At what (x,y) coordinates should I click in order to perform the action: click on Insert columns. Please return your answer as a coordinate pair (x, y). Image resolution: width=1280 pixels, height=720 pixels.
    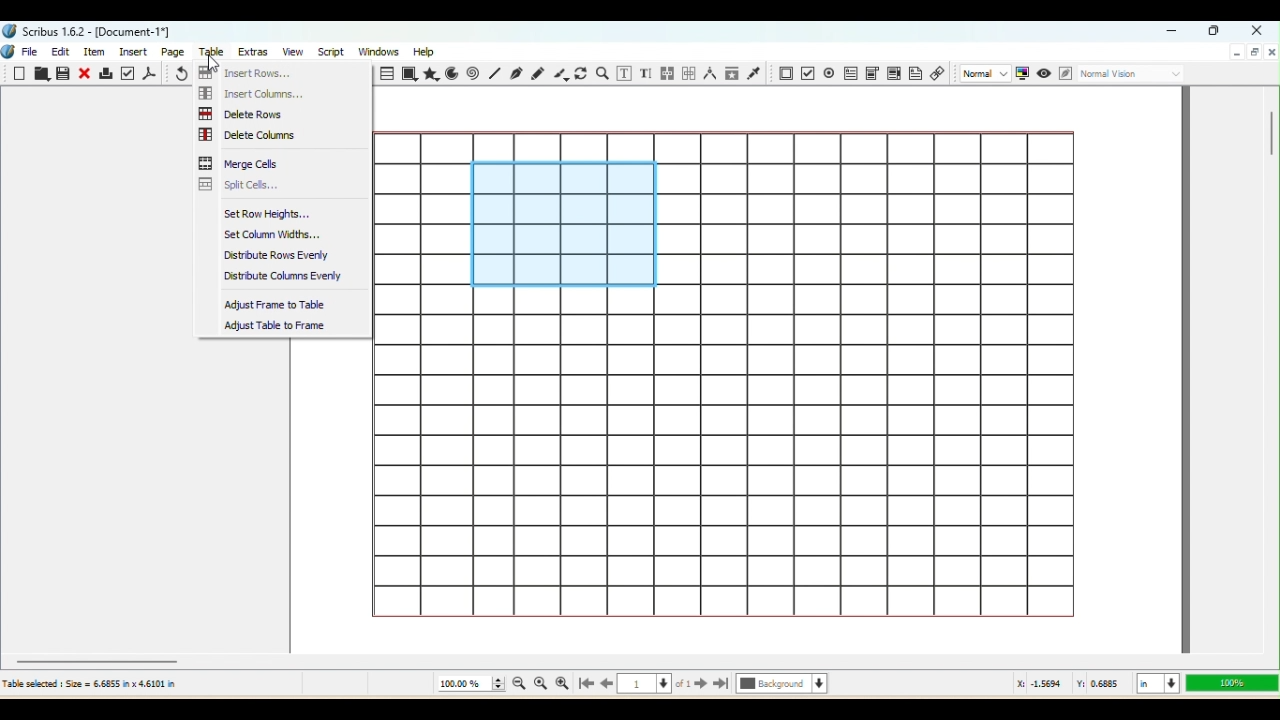
    Looking at the image, I should click on (259, 92).